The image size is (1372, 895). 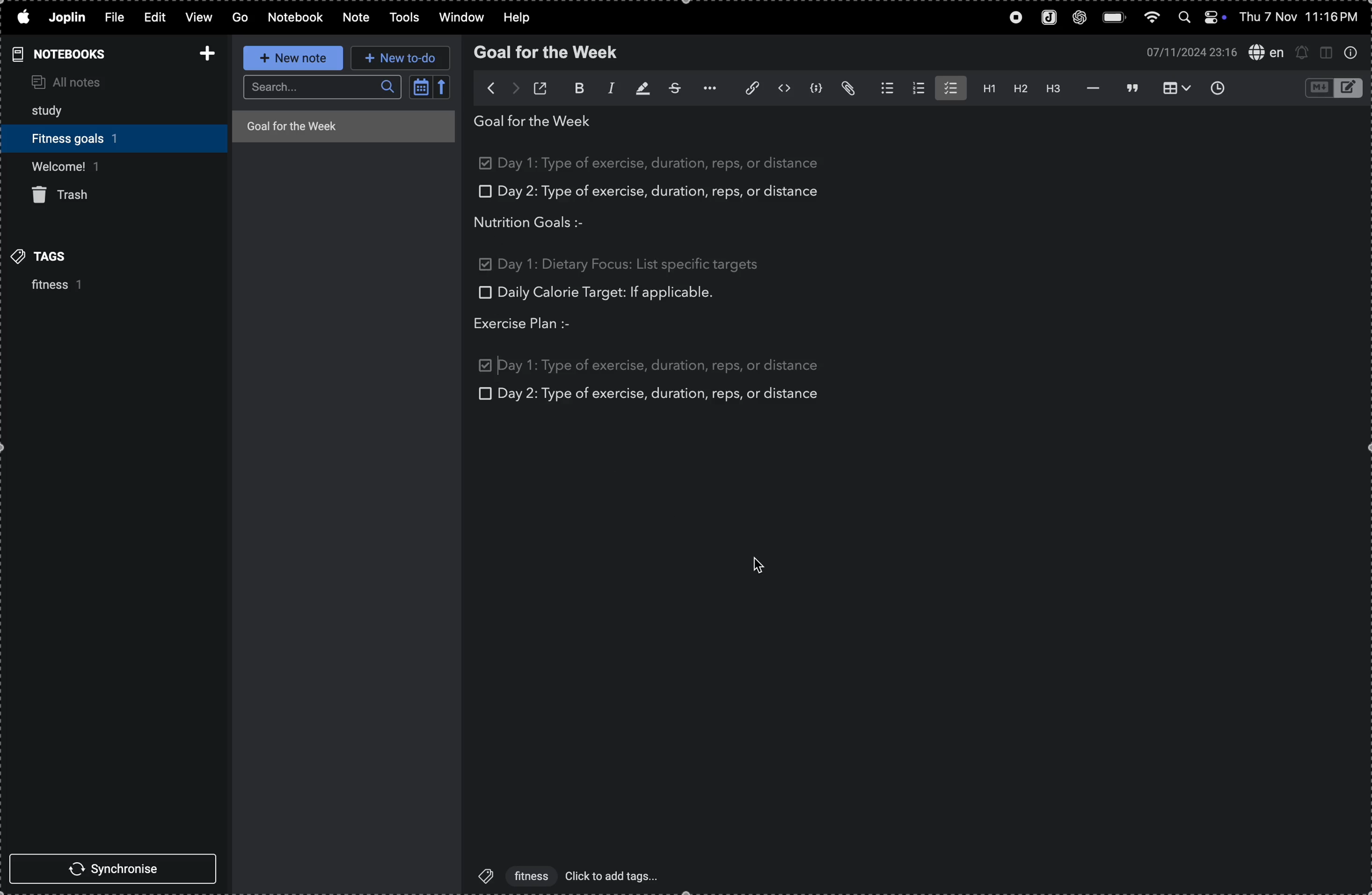 What do you see at coordinates (483, 192) in the screenshot?
I see `checkbox` at bounding box center [483, 192].